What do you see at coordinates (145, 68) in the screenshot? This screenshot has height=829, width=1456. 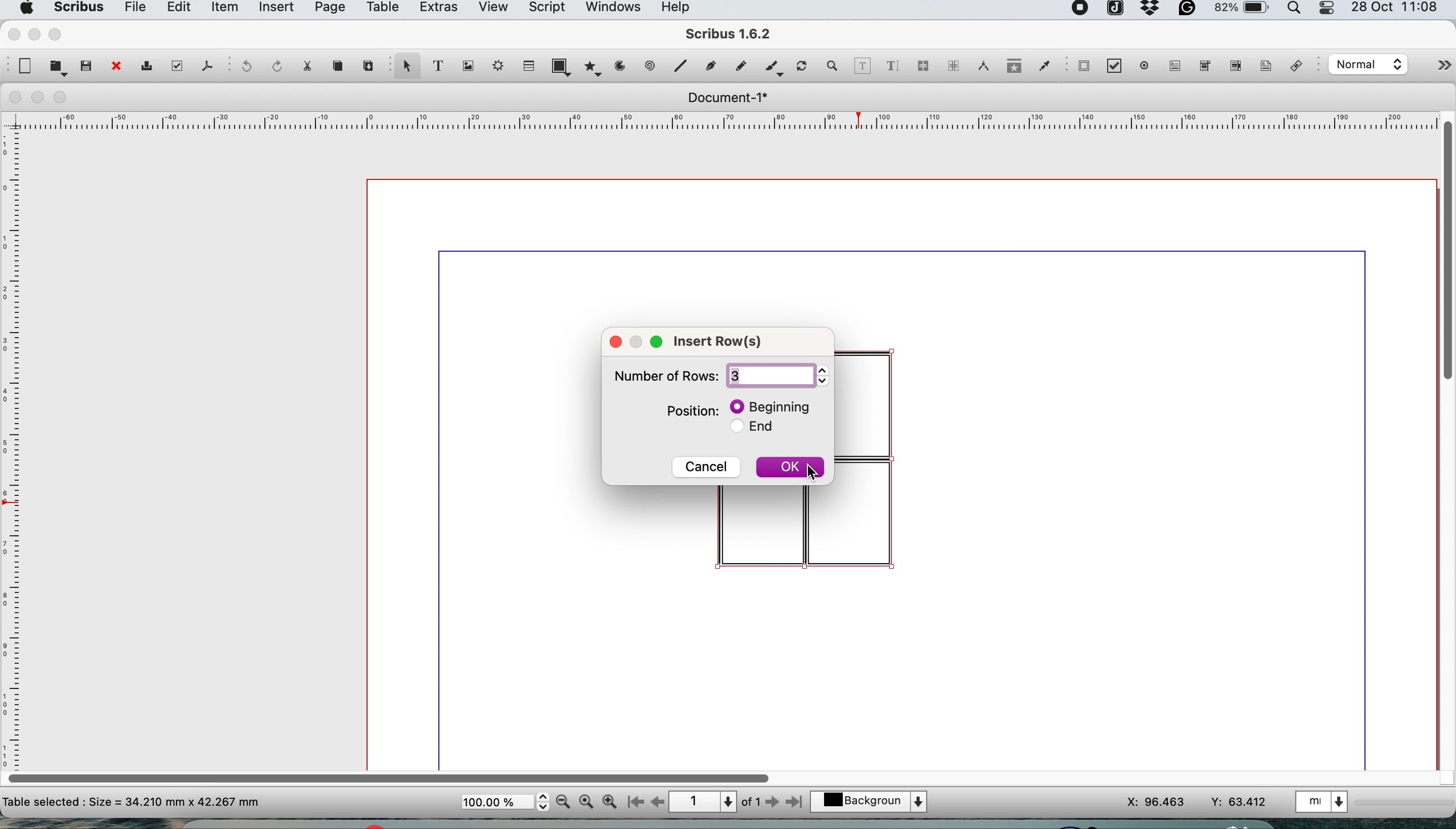 I see `print` at bounding box center [145, 68].